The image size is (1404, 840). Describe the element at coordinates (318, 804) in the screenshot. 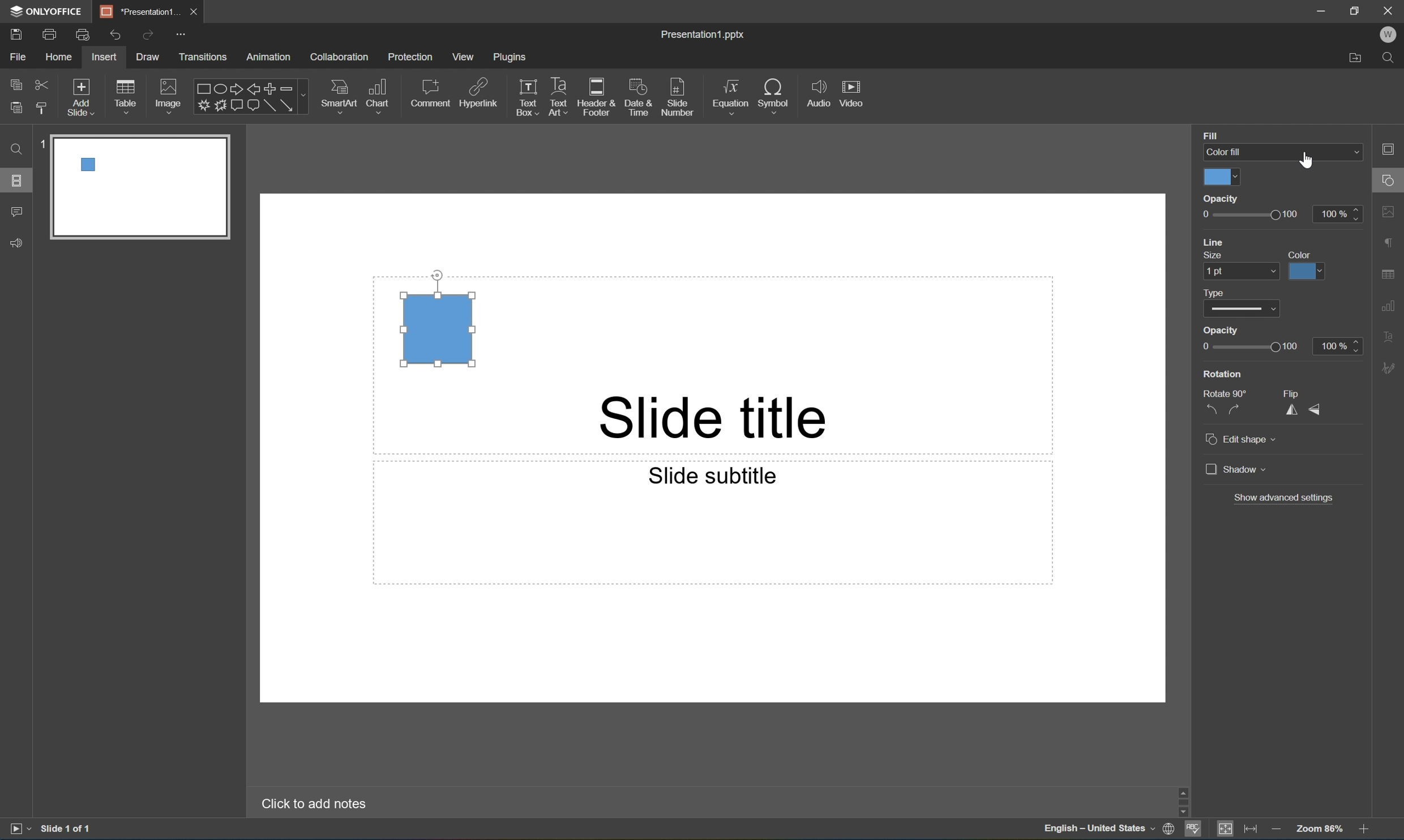

I see `Click to add notes` at that location.